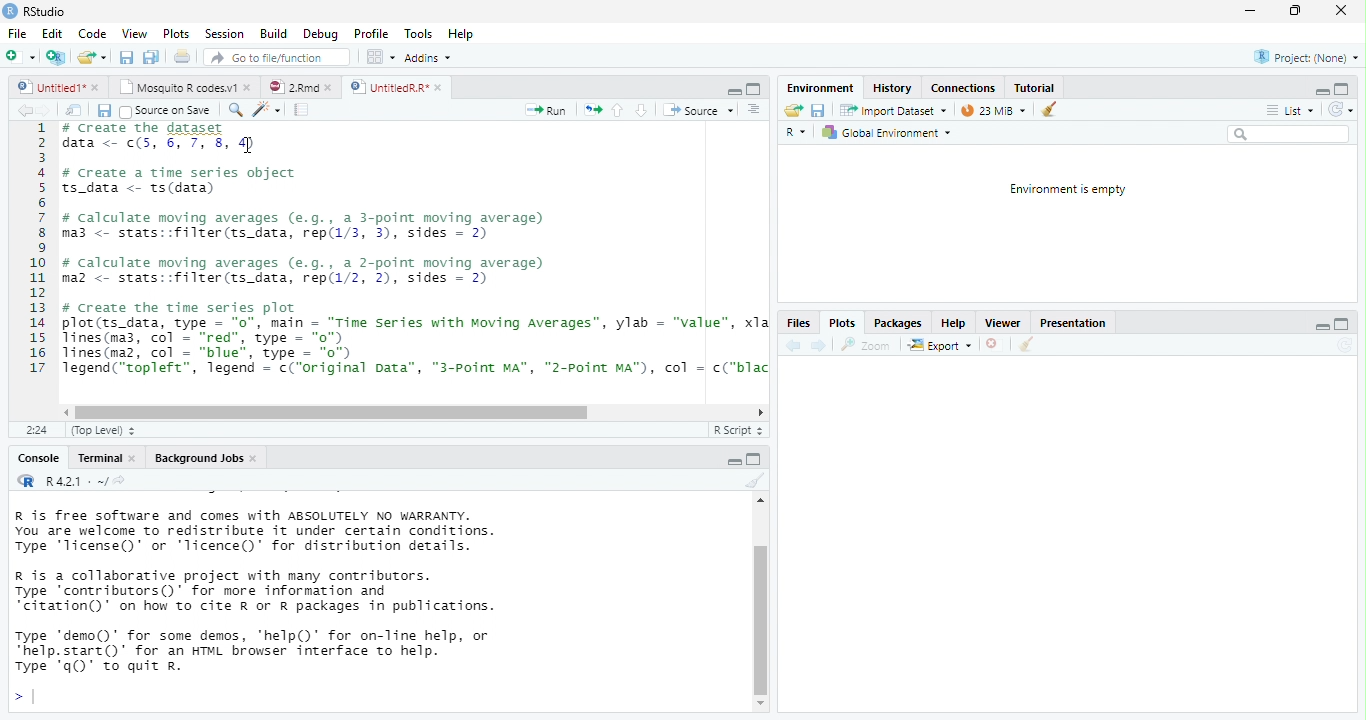 This screenshot has width=1366, height=720. I want to click on scrollbar left, so click(63, 412).